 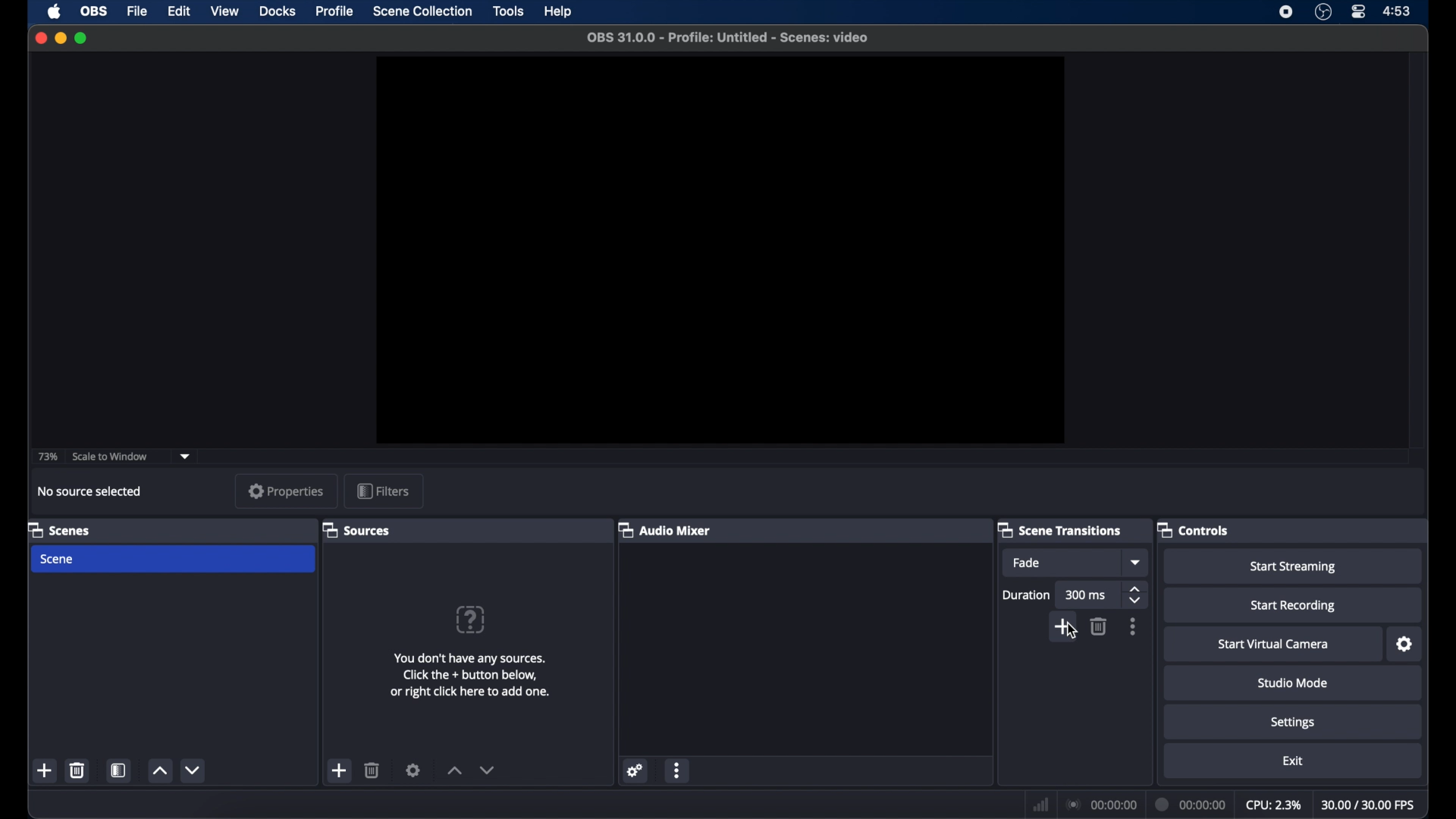 What do you see at coordinates (1293, 723) in the screenshot?
I see `settings` at bounding box center [1293, 723].